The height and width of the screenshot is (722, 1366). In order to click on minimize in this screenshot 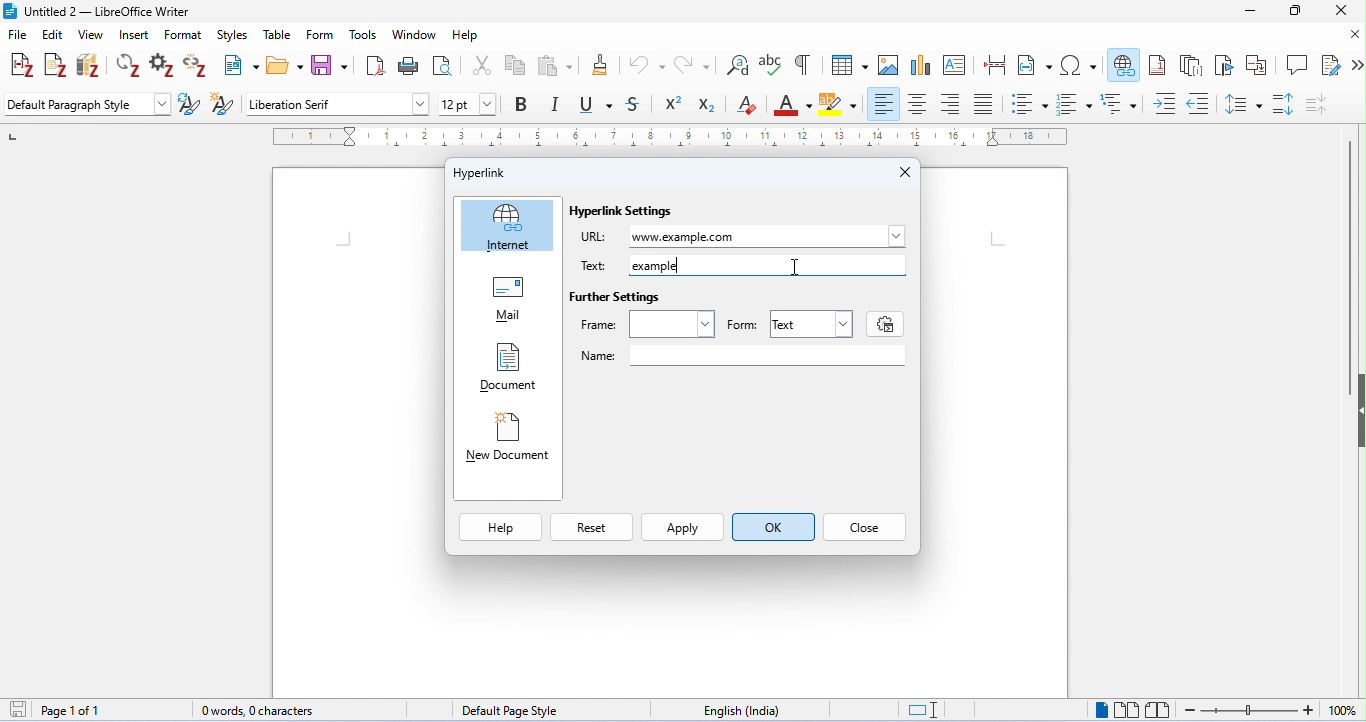, I will do `click(1248, 12)`.